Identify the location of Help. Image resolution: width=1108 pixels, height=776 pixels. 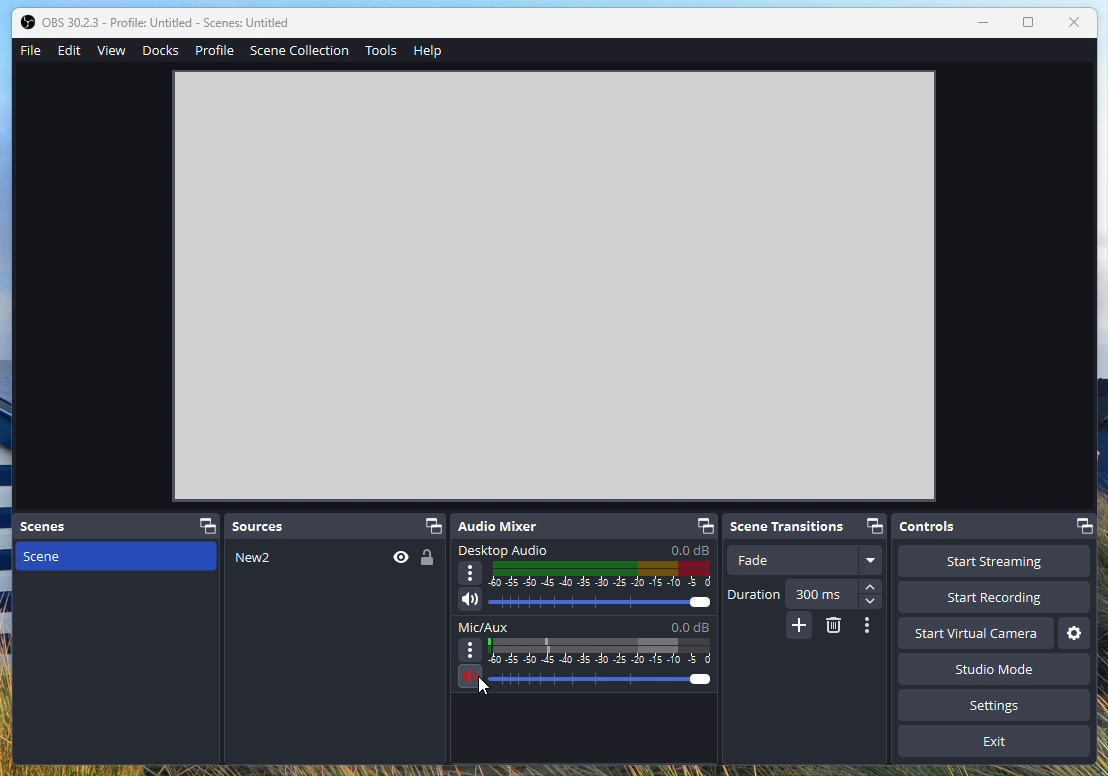
(427, 54).